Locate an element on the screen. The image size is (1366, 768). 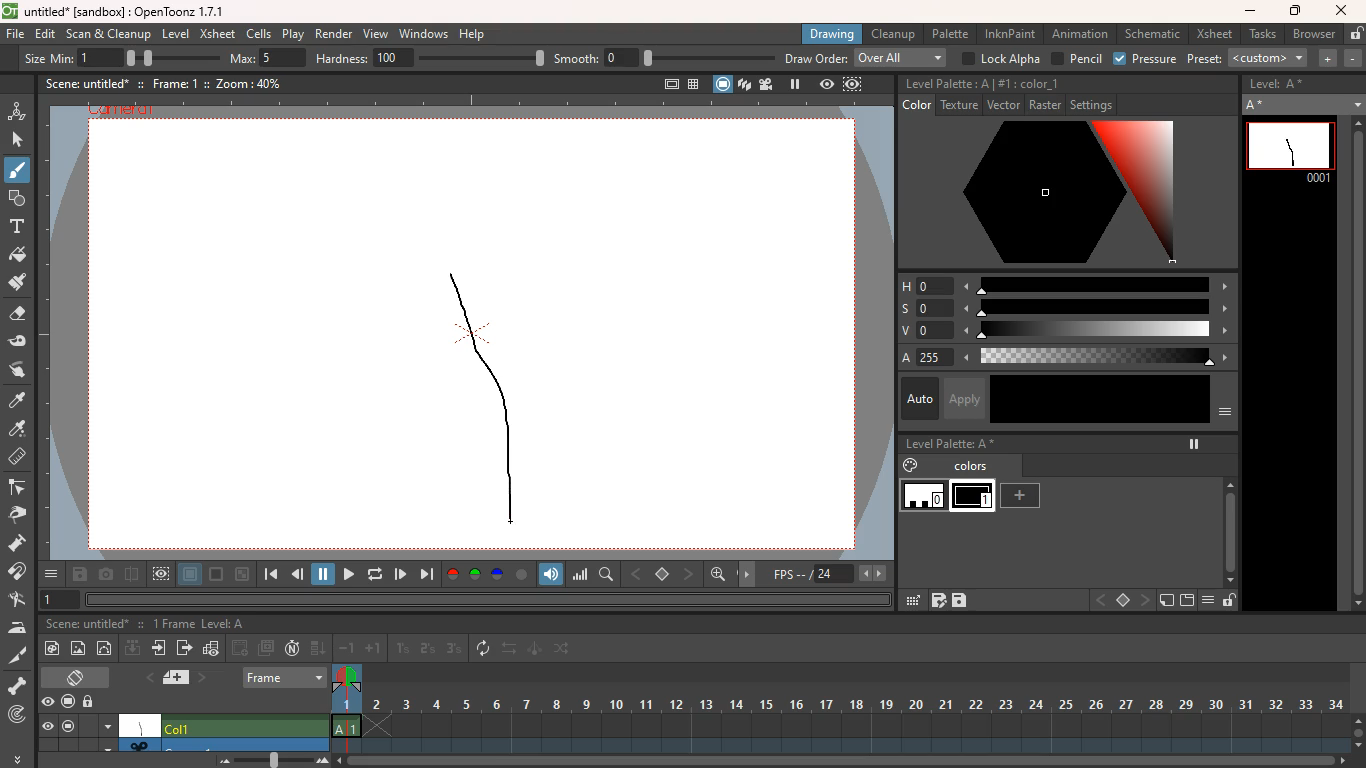
view is located at coordinates (825, 85).